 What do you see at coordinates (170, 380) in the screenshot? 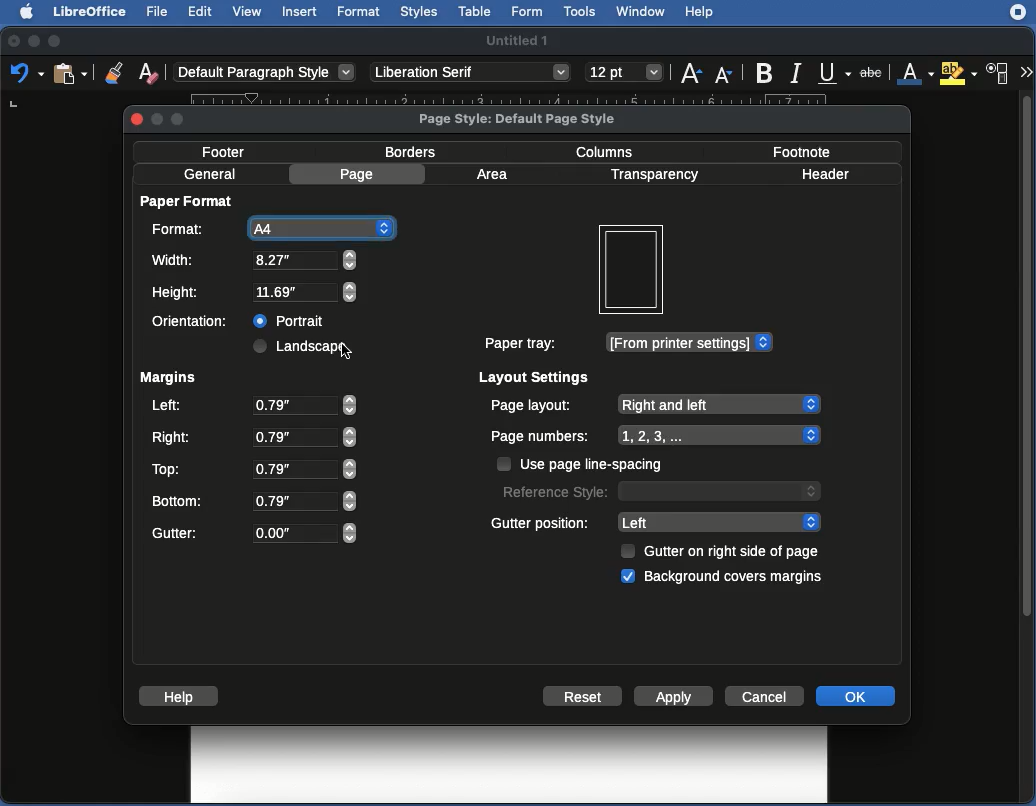
I see `Margins` at bounding box center [170, 380].